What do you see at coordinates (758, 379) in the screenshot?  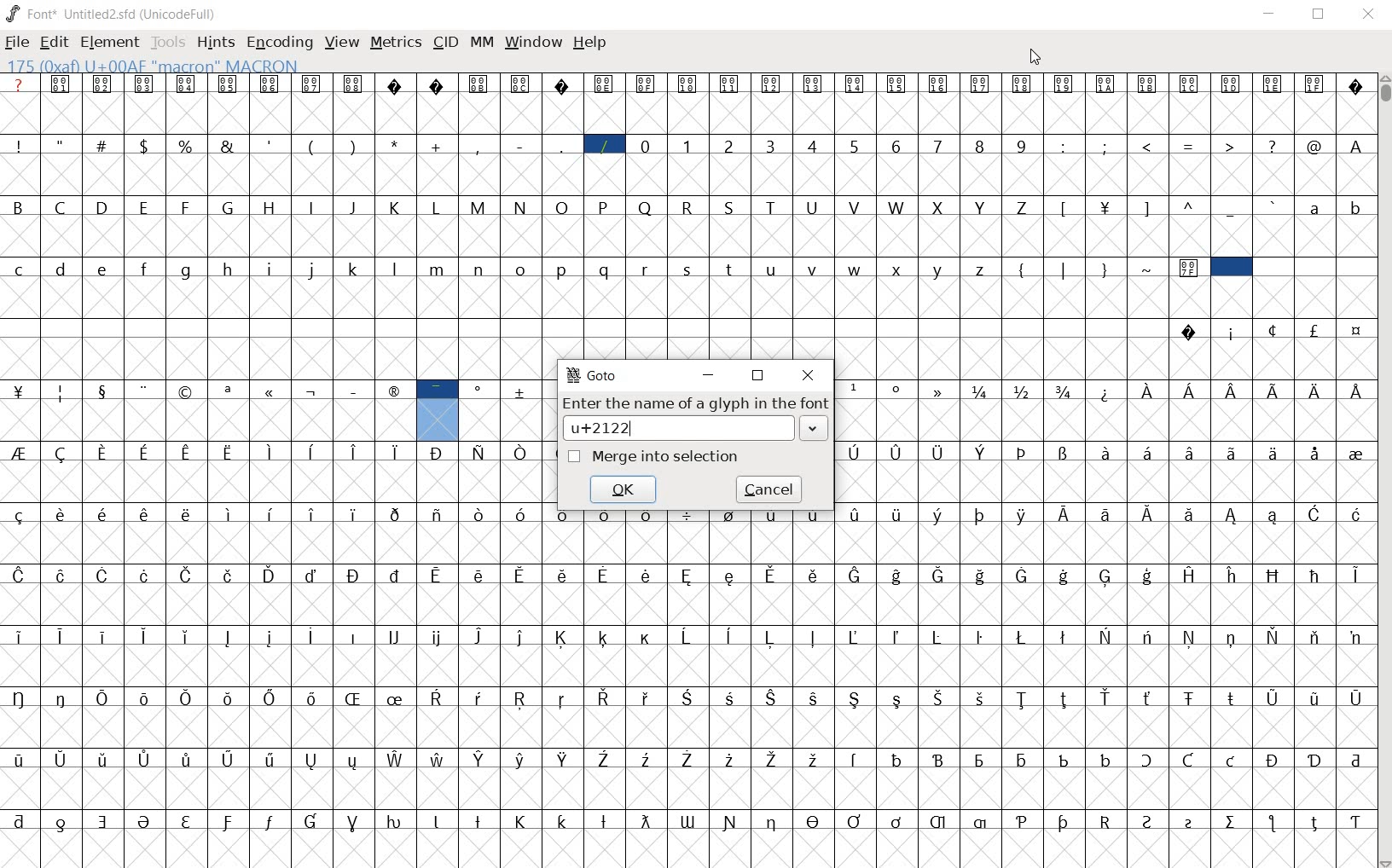 I see `restore` at bounding box center [758, 379].